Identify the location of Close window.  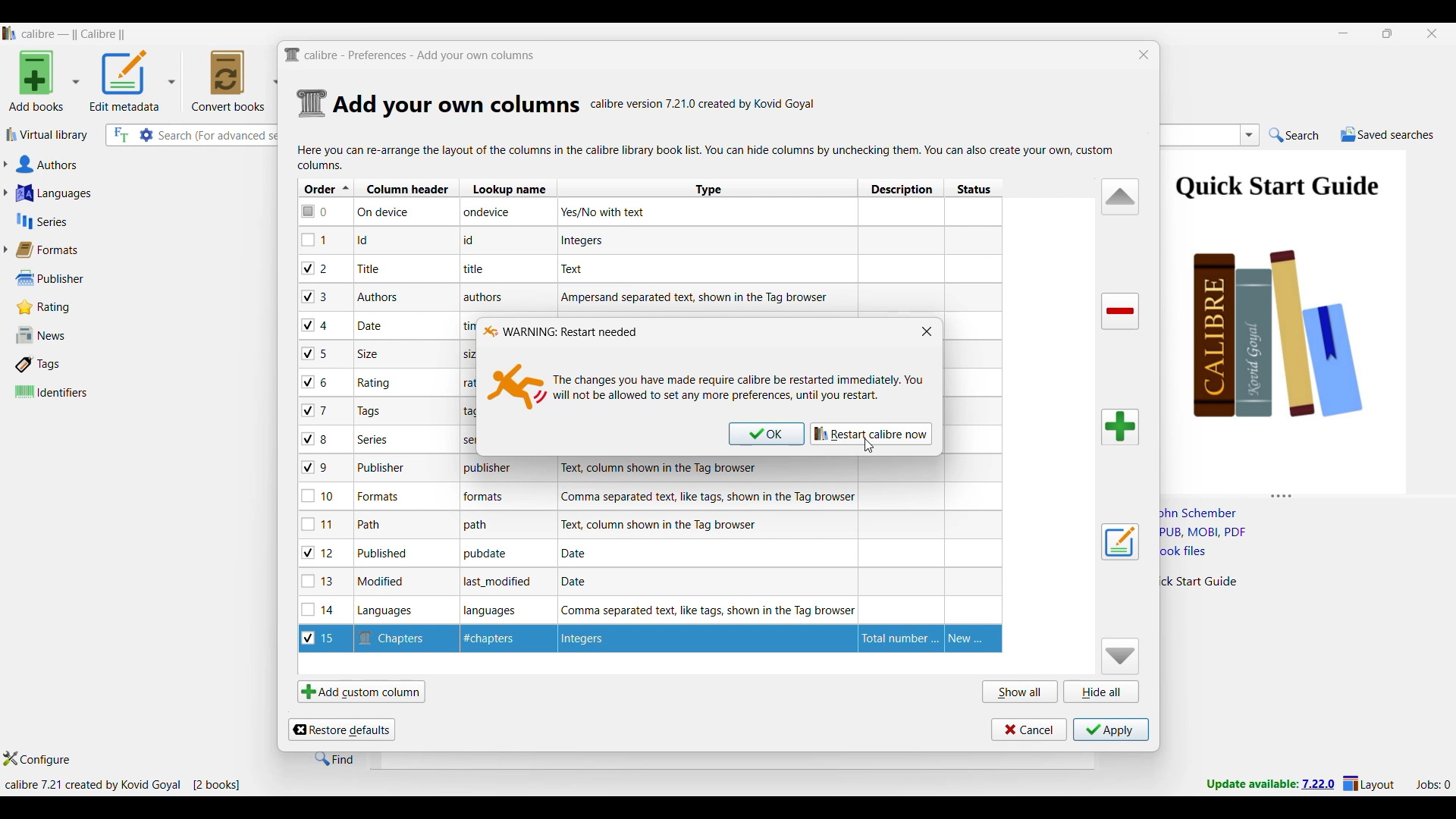
(927, 331).